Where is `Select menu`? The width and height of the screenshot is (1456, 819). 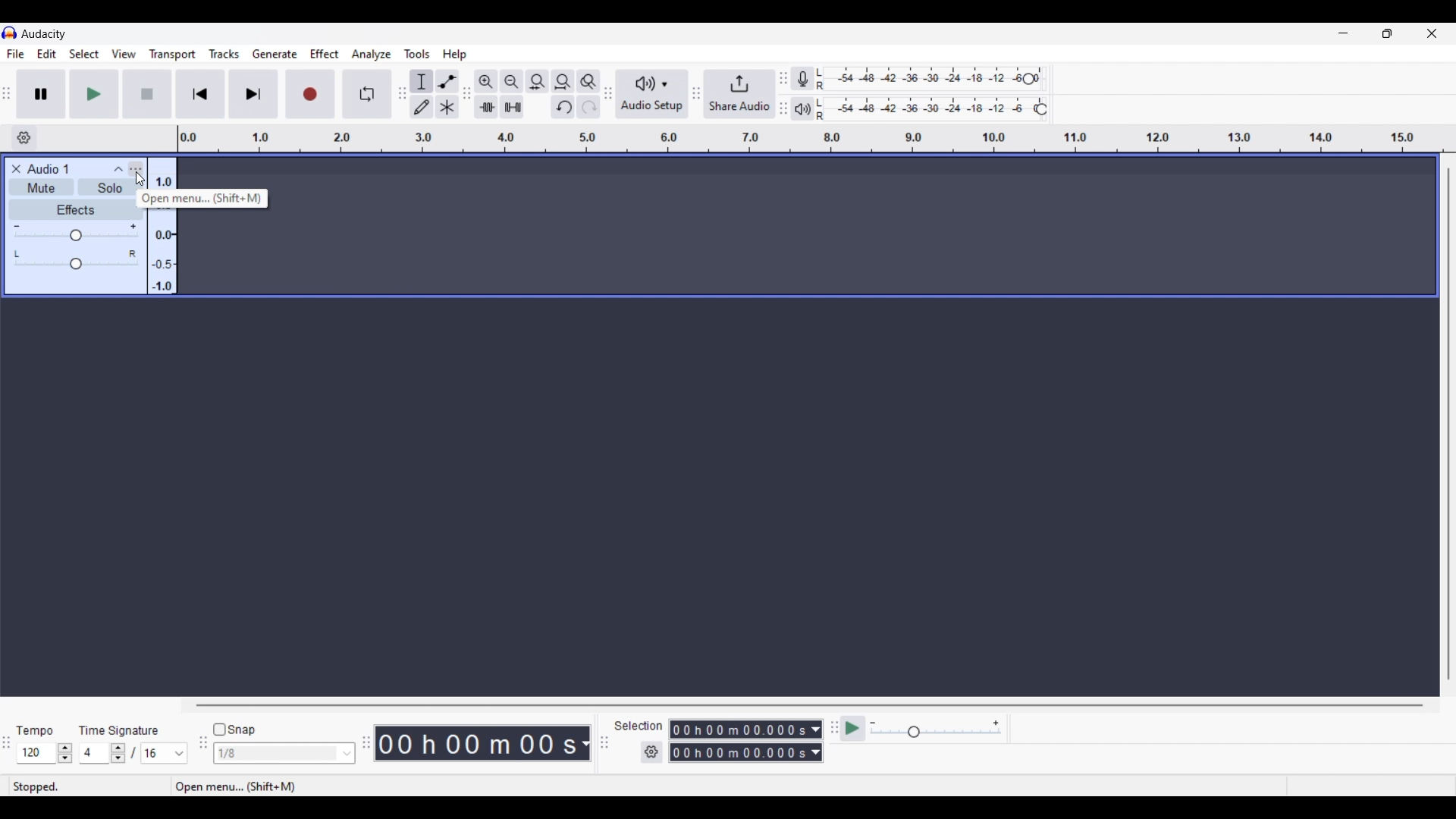 Select menu is located at coordinates (84, 55).